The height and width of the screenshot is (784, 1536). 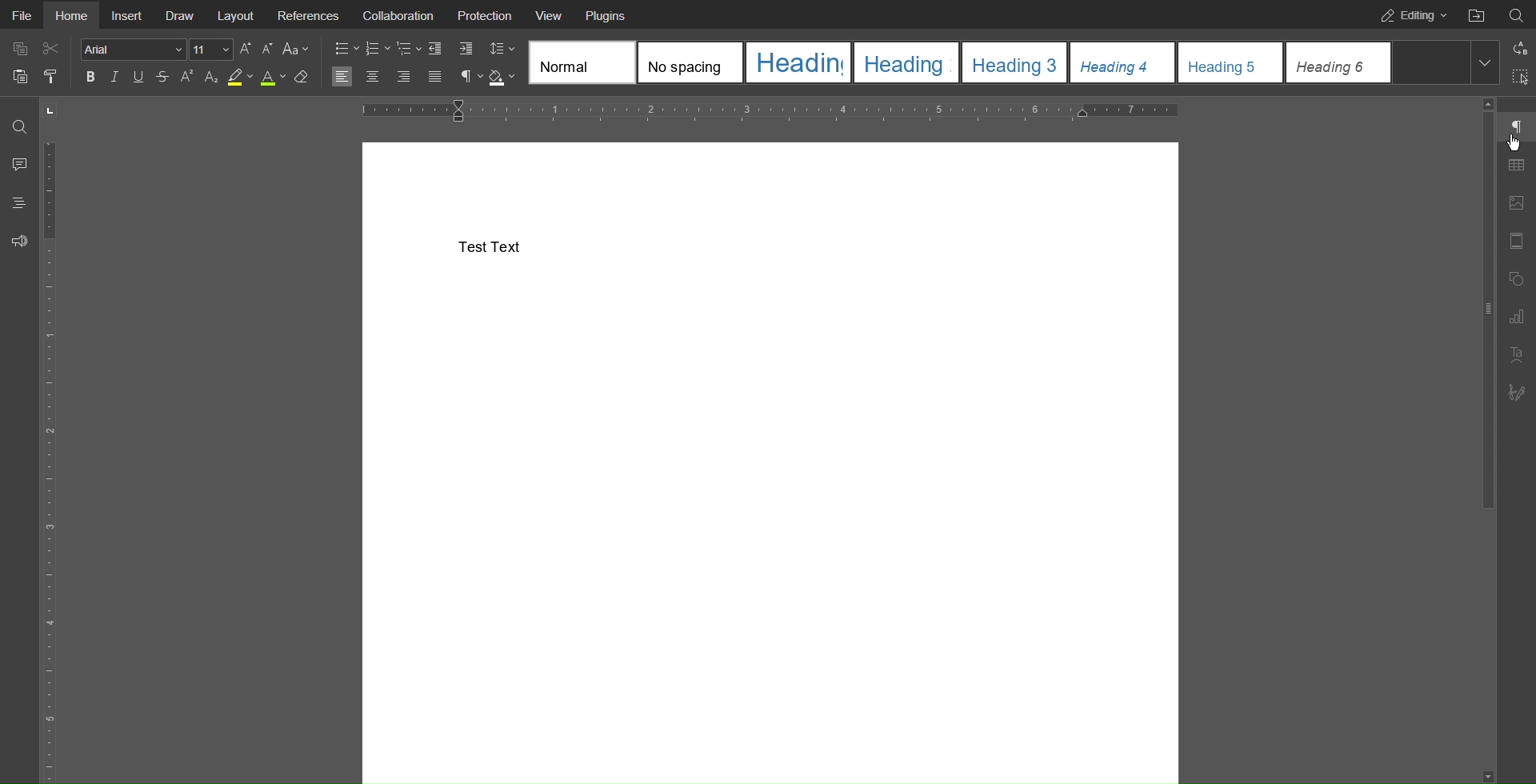 I want to click on Italics, so click(x=117, y=78).